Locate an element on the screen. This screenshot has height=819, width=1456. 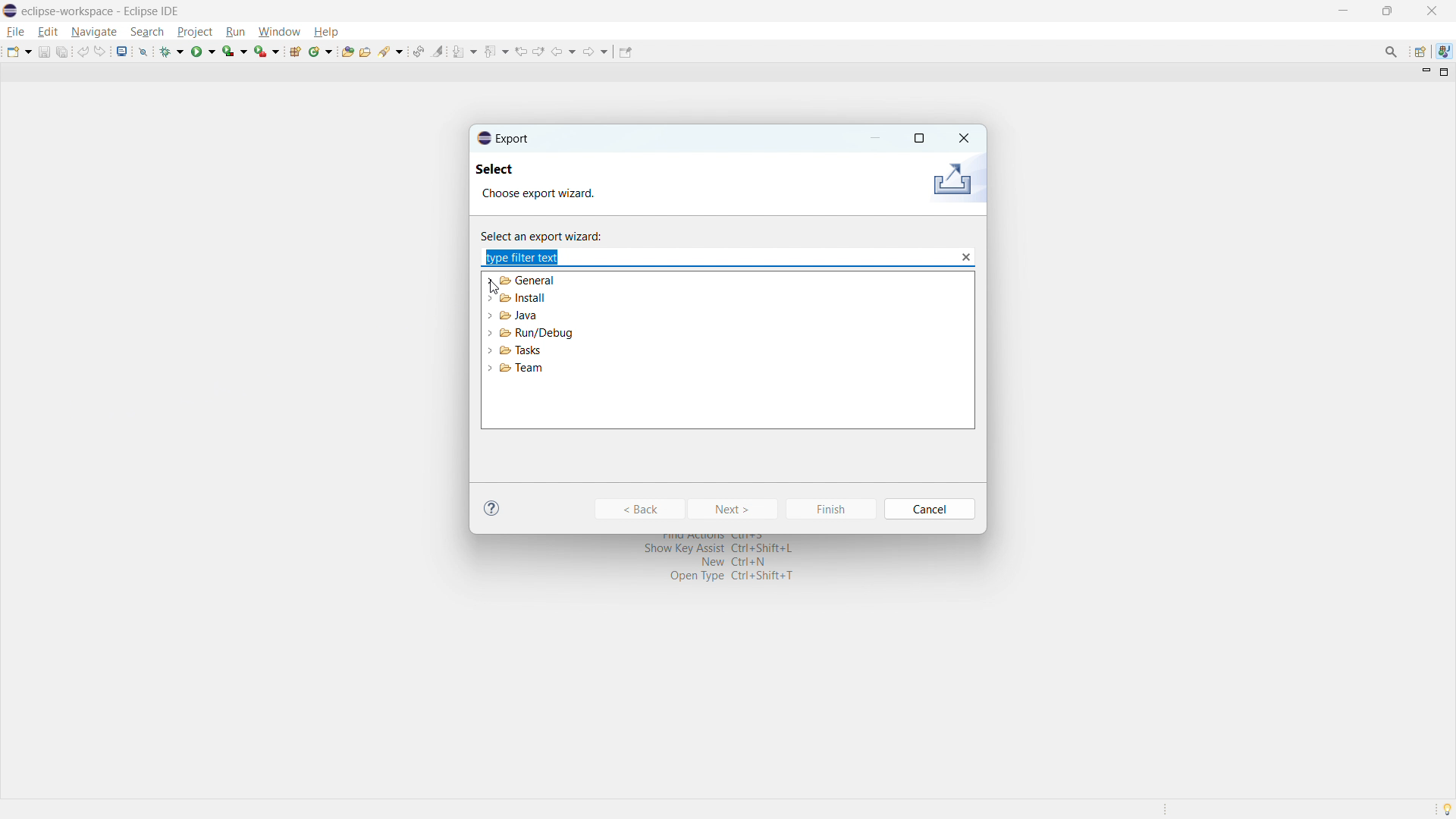
team is located at coordinates (521, 369).